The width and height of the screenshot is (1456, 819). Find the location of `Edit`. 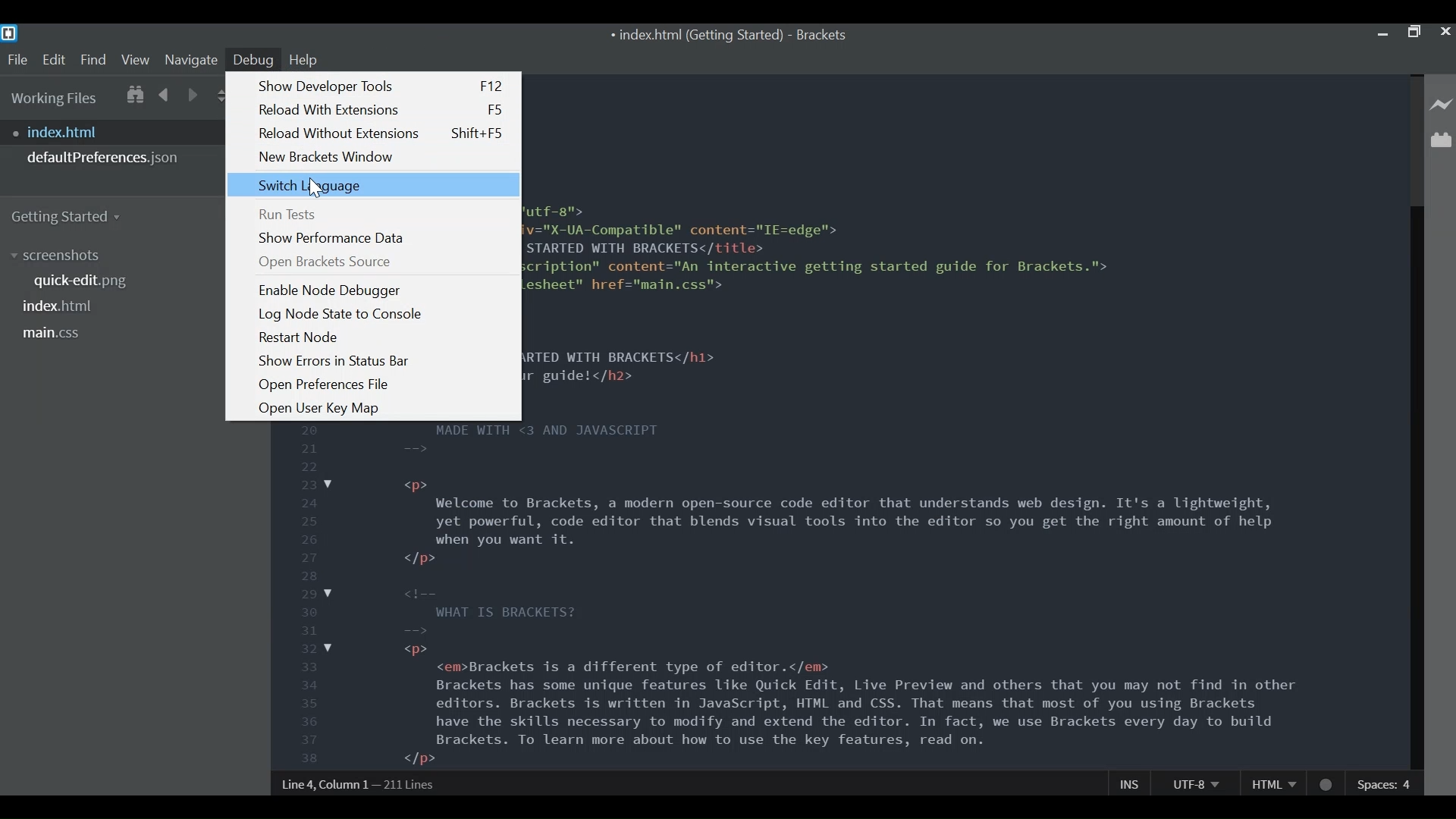

Edit is located at coordinates (53, 60).